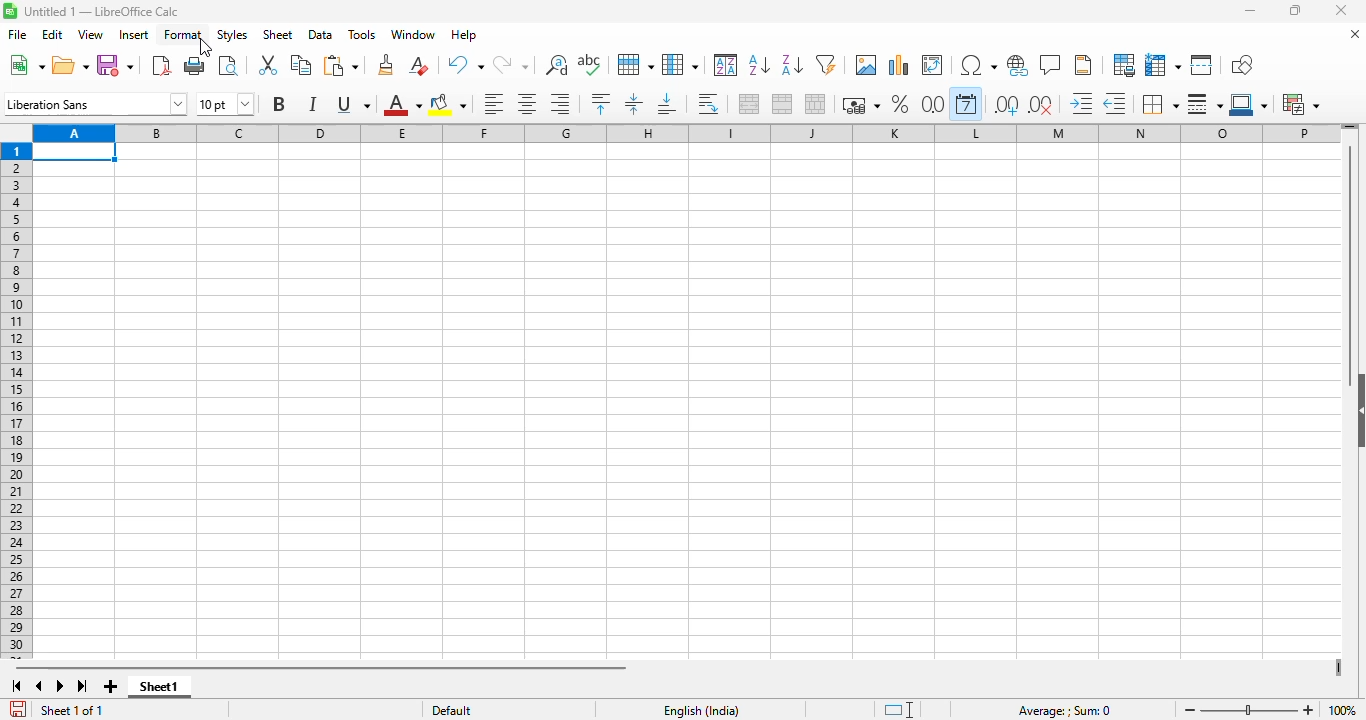 Image resolution: width=1366 pixels, height=720 pixels. Describe the element at coordinates (268, 64) in the screenshot. I see `cut` at that location.